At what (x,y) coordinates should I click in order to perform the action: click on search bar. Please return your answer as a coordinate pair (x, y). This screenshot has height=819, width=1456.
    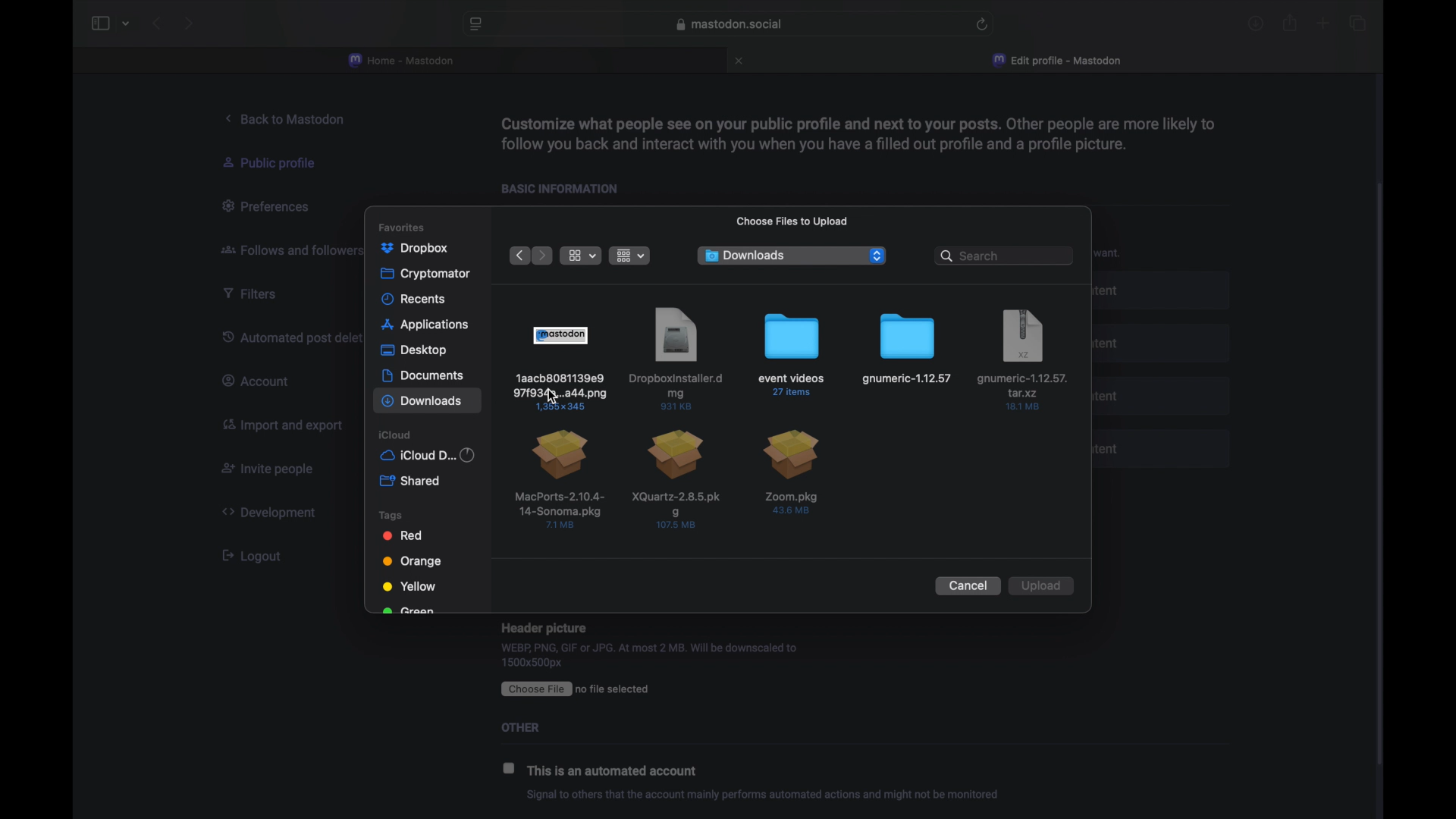
    Looking at the image, I should click on (1003, 255).